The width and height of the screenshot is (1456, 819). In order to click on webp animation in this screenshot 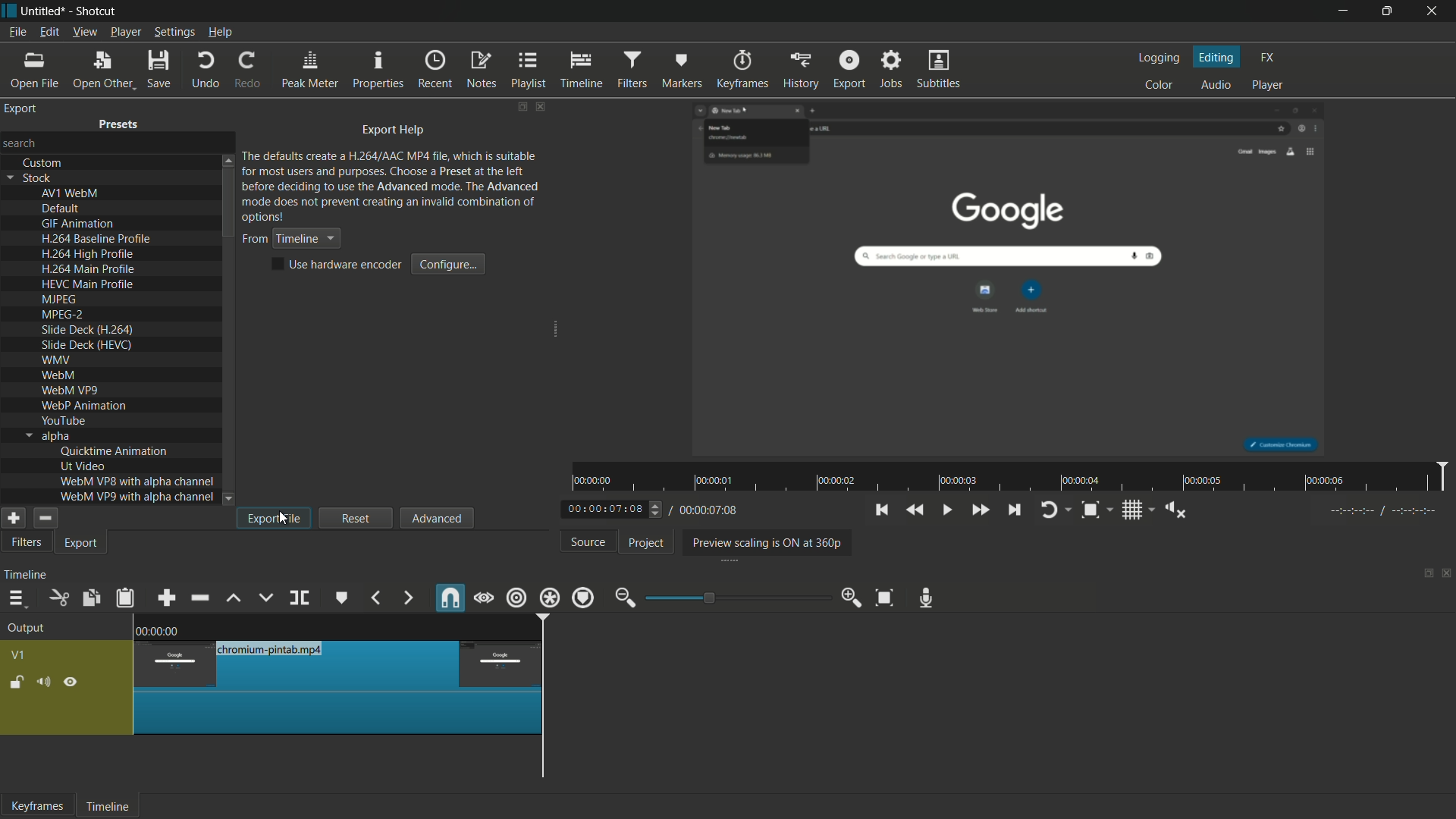, I will do `click(83, 406)`.